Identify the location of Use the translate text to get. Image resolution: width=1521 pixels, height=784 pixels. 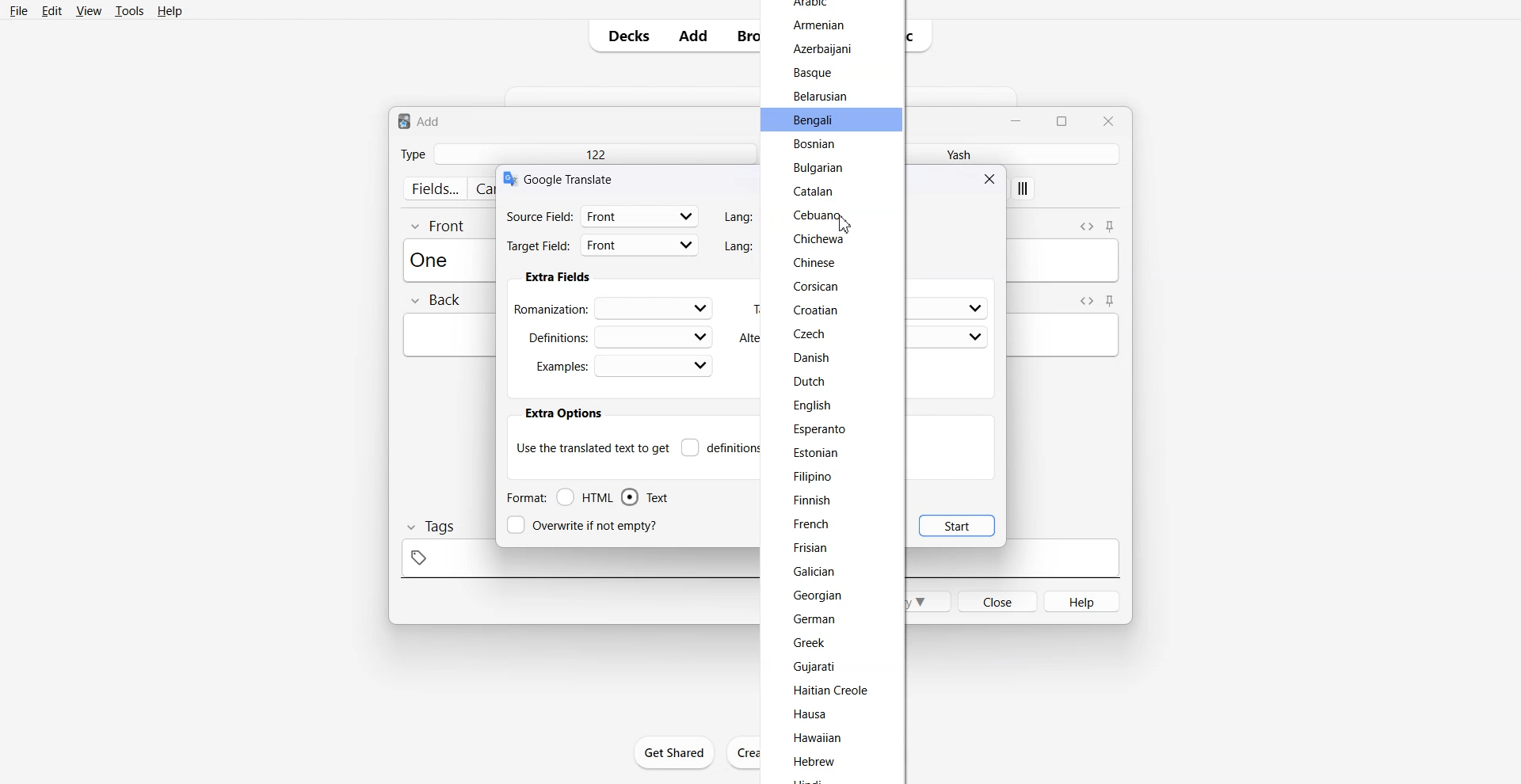
(593, 447).